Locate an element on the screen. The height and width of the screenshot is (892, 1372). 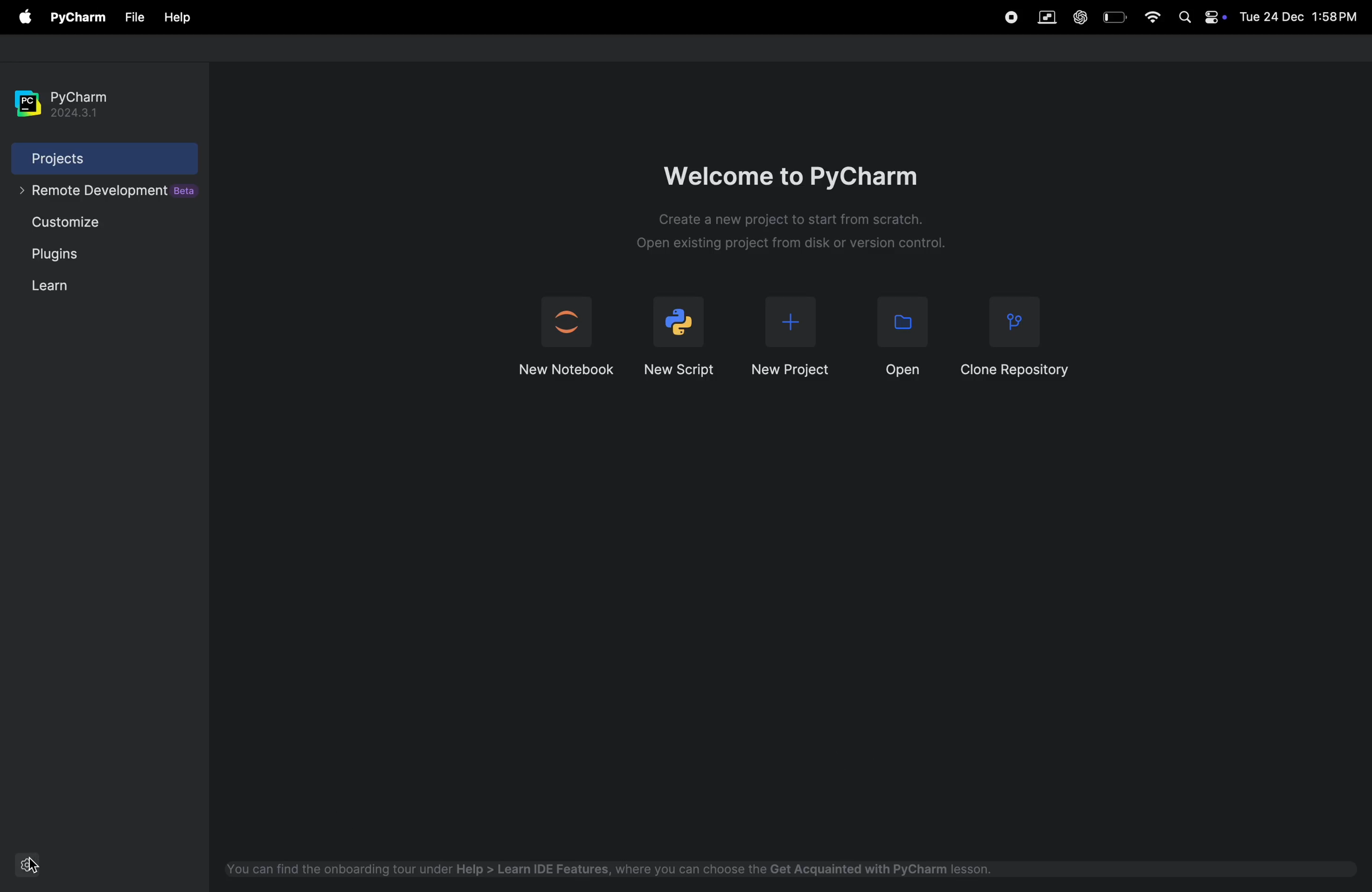
file menu is located at coordinates (22, 17).